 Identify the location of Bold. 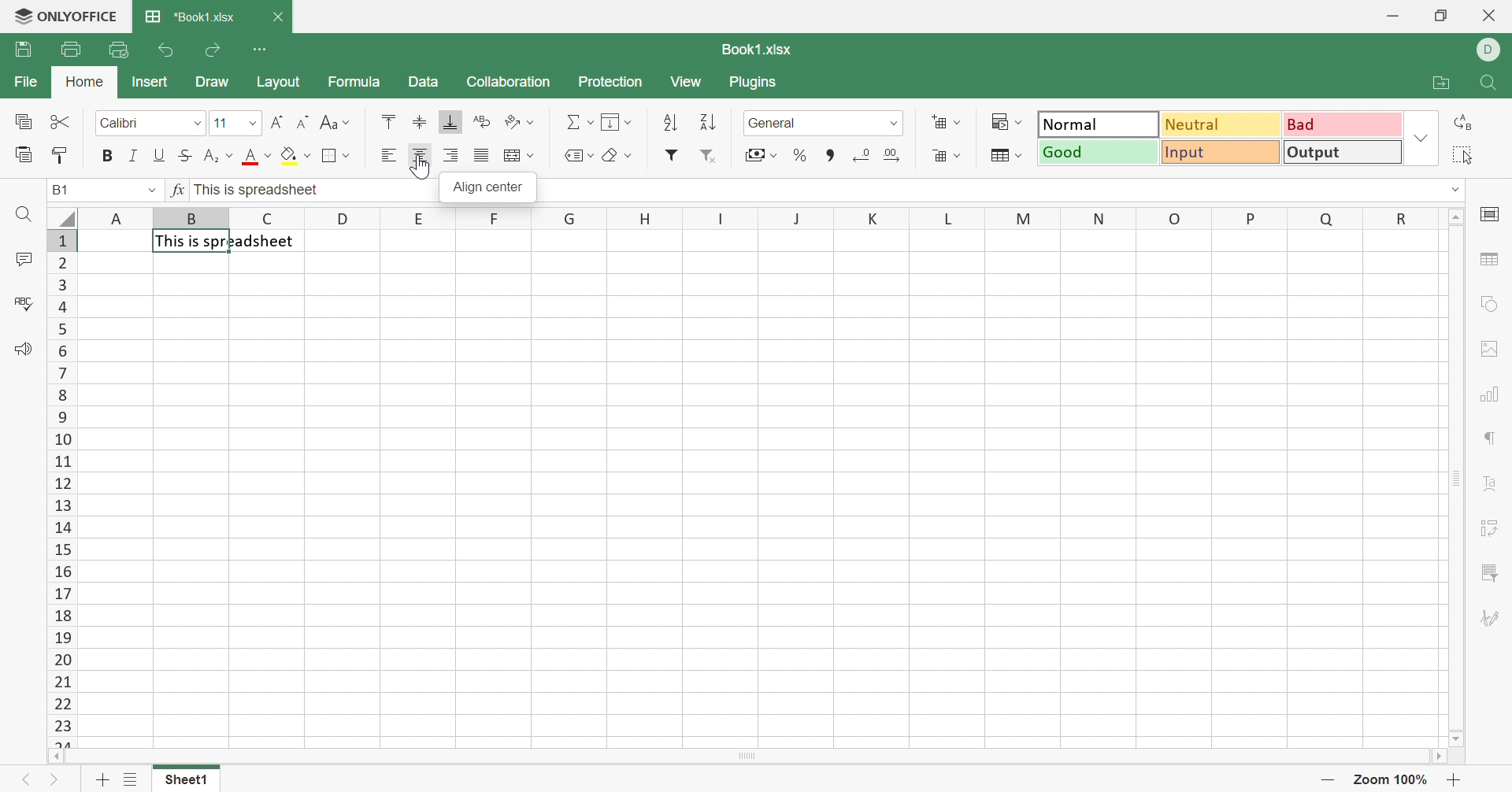
(108, 156).